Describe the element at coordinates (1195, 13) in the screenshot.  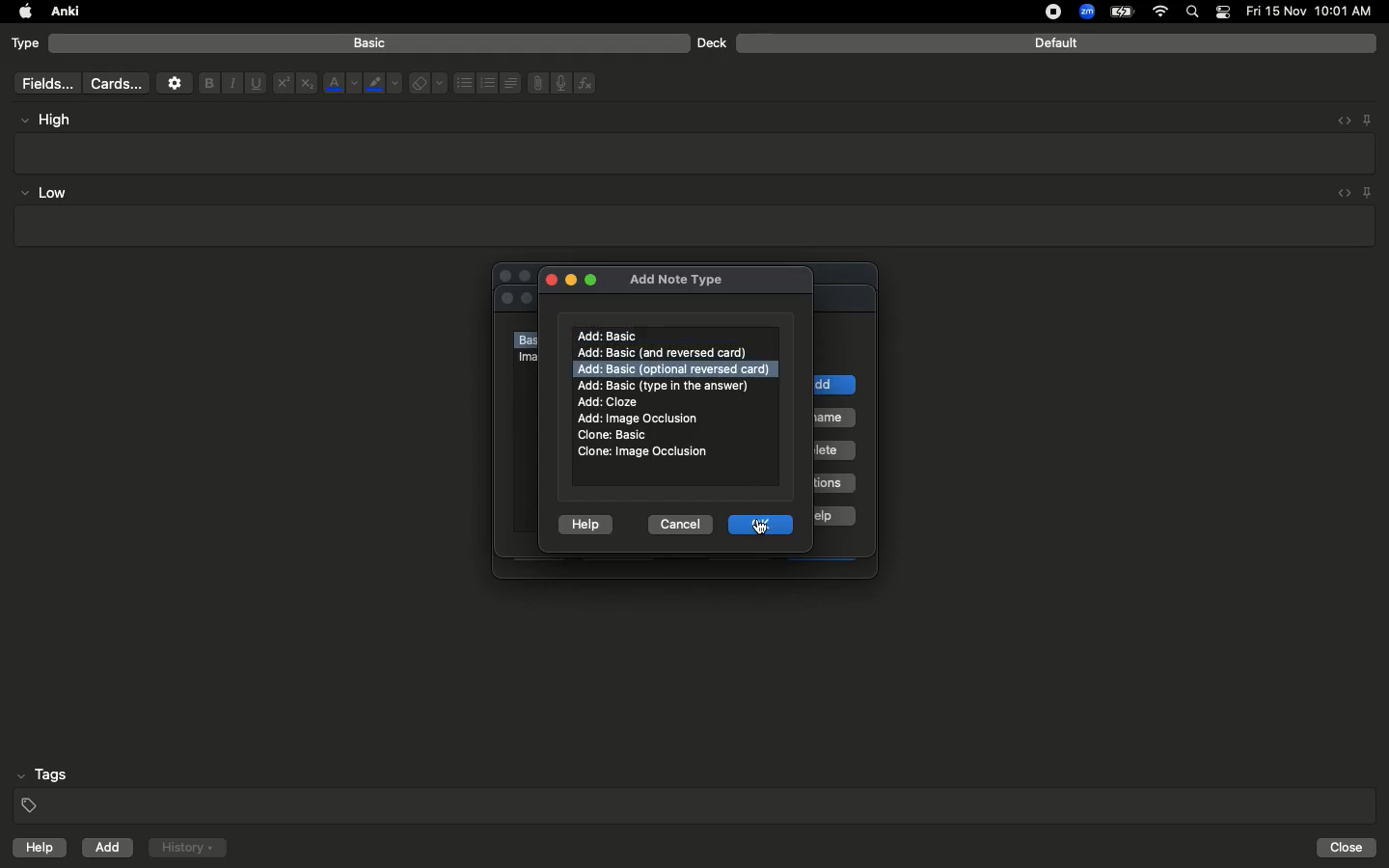
I see `Search` at that location.